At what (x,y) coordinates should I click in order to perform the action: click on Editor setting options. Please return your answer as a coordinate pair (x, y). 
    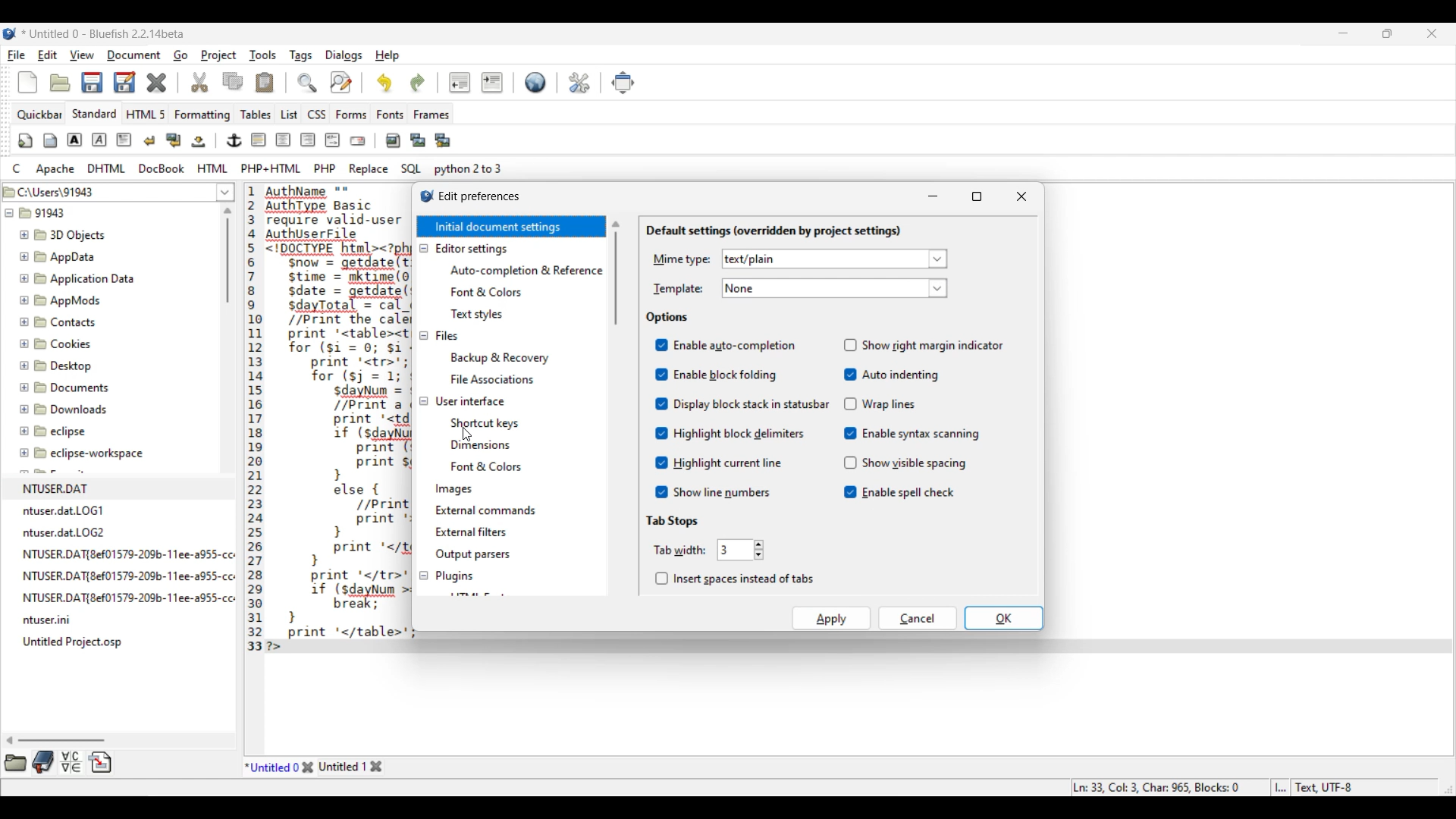
    Looking at the image, I should click on (526, 292).